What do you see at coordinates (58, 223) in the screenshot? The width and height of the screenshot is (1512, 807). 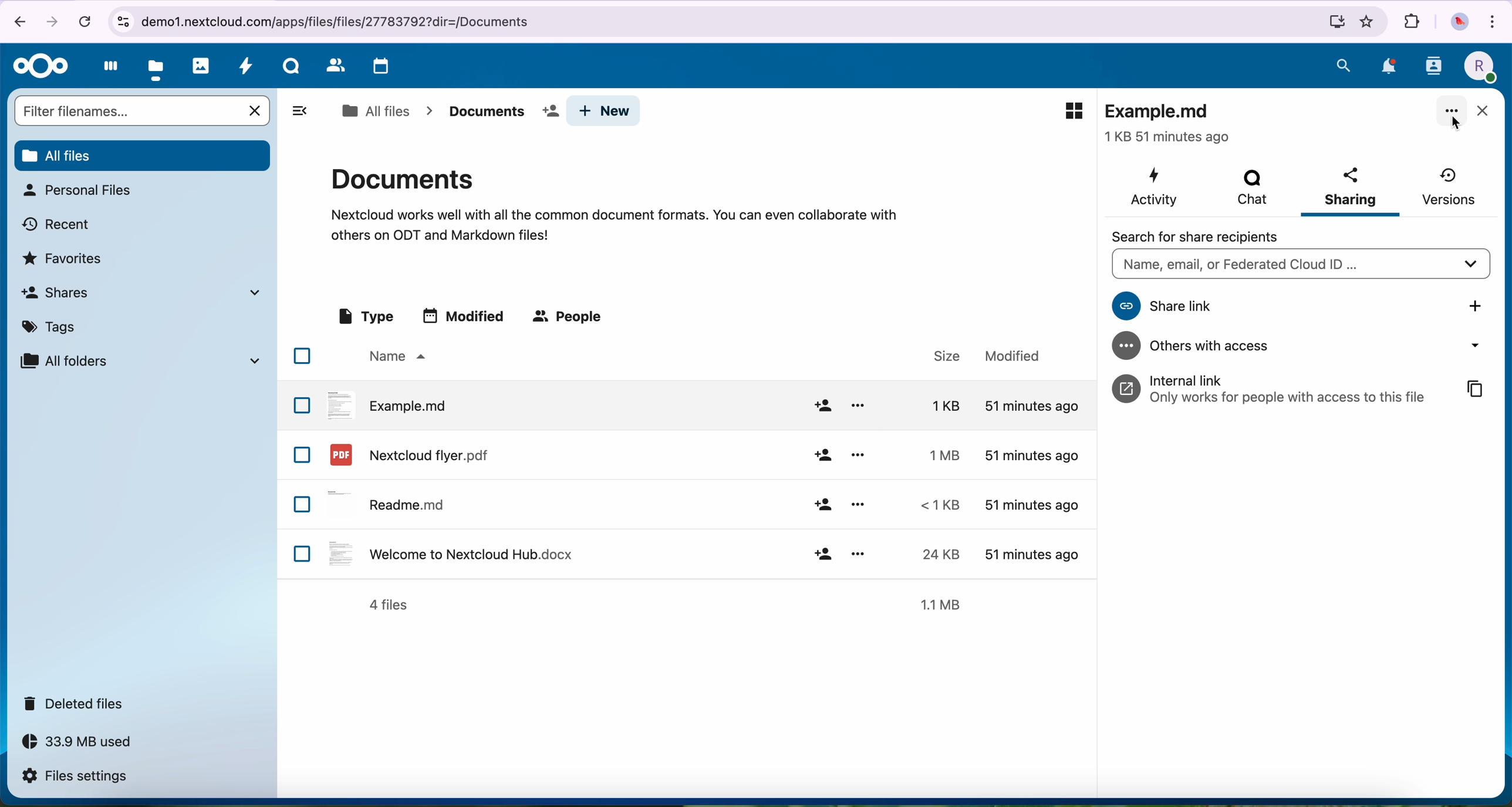 I see `recent` at bounding box center [58, 223].